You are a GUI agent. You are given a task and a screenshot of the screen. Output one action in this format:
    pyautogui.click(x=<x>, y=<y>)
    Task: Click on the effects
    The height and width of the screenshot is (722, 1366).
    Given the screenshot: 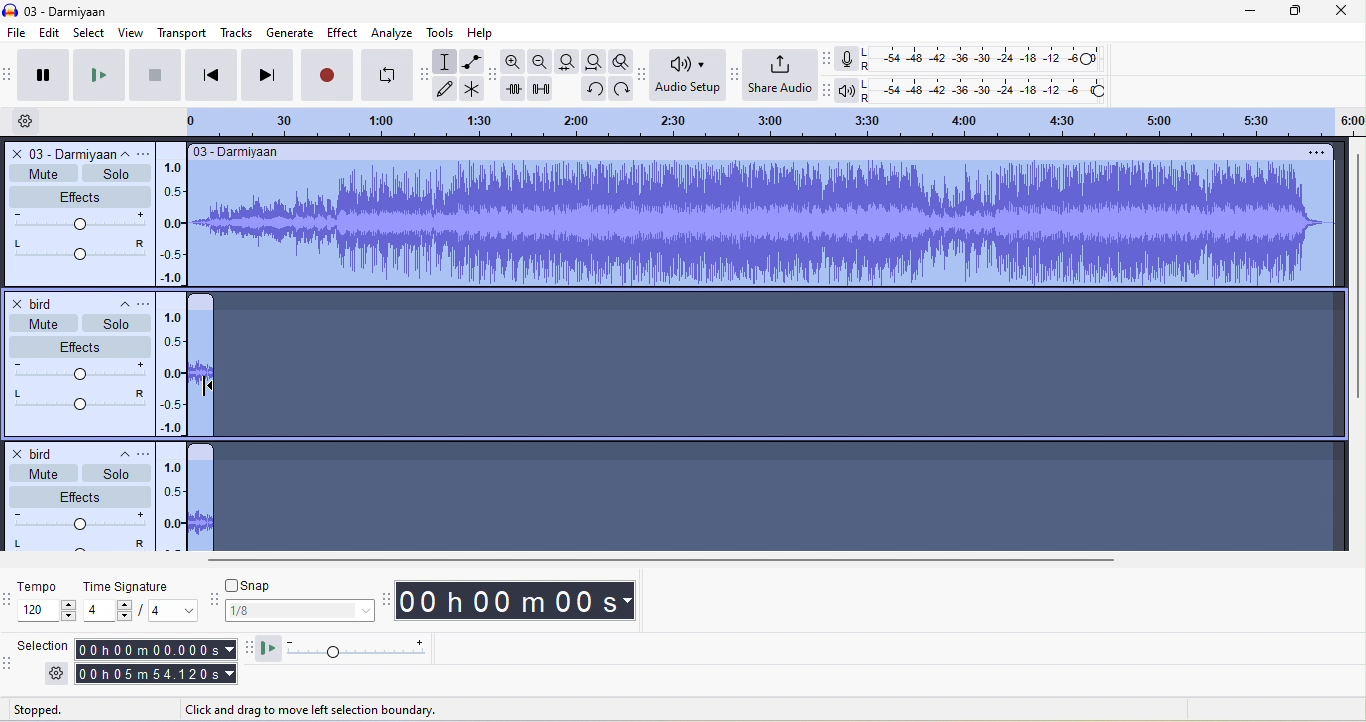 What is the action you would take?
    pyautogui.click(x=81, y=494)
    